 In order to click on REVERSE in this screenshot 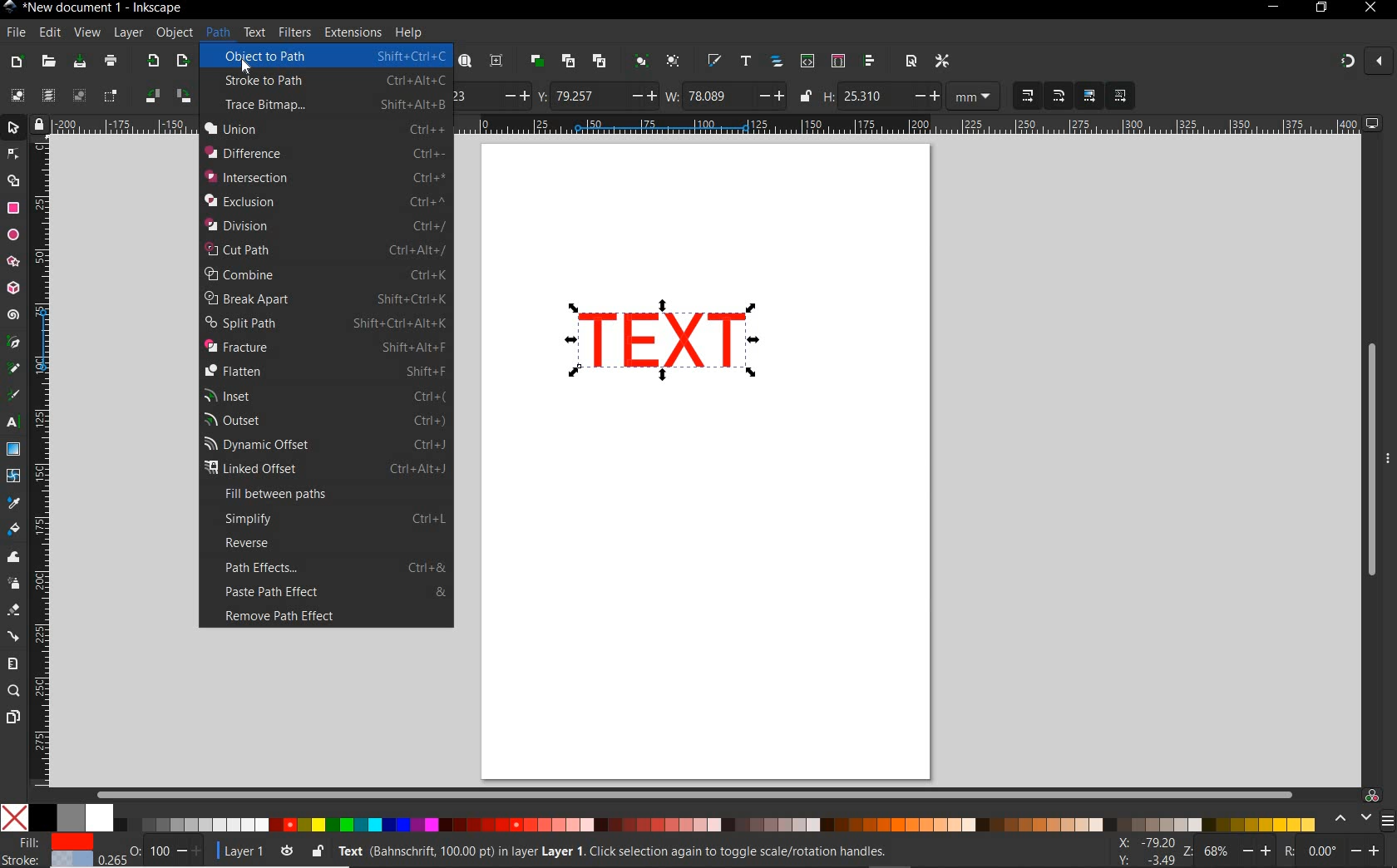, I will do `click(334, 543)`.